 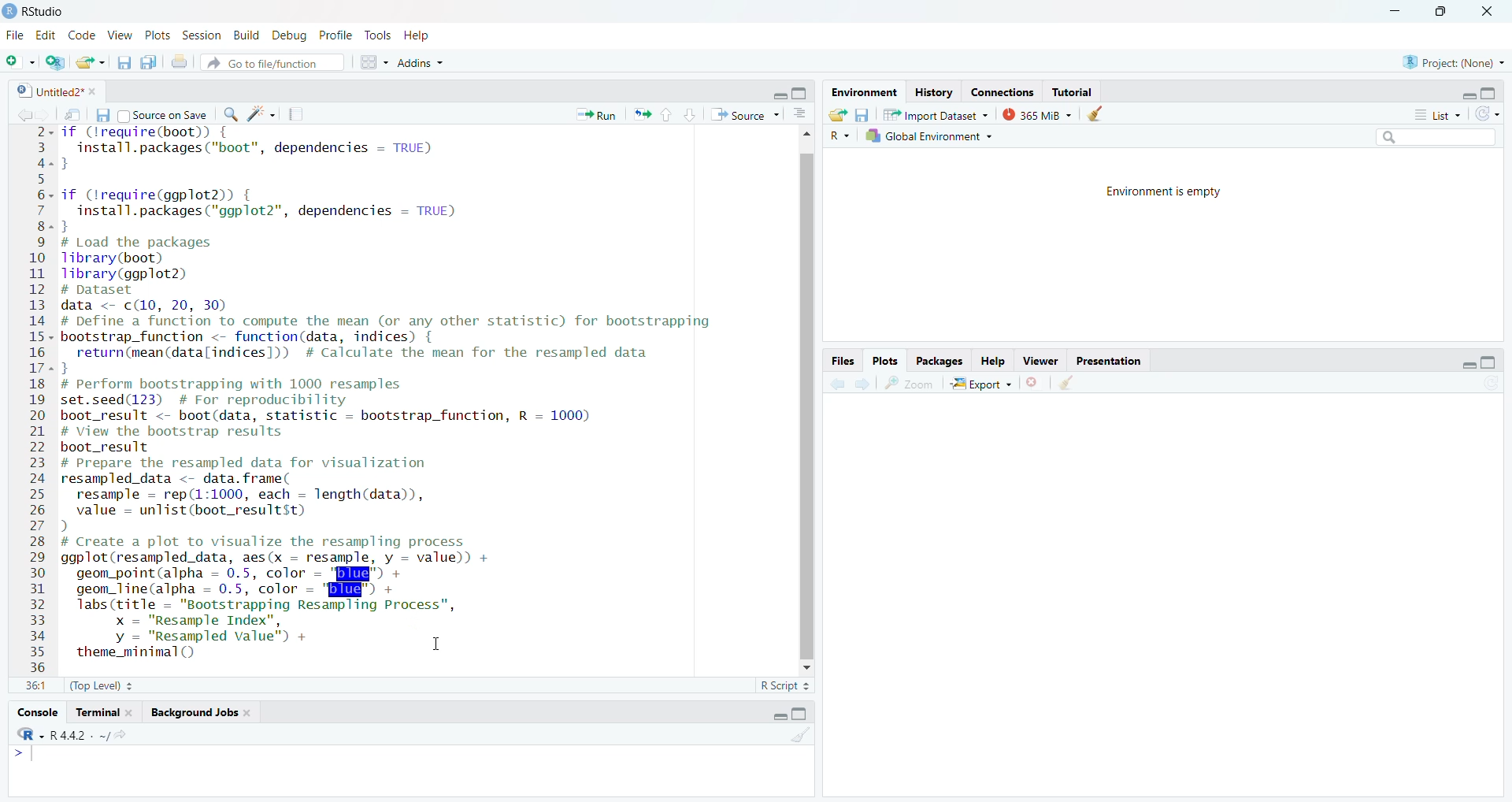 I want to click on terminal, so click(x=106, y=711).